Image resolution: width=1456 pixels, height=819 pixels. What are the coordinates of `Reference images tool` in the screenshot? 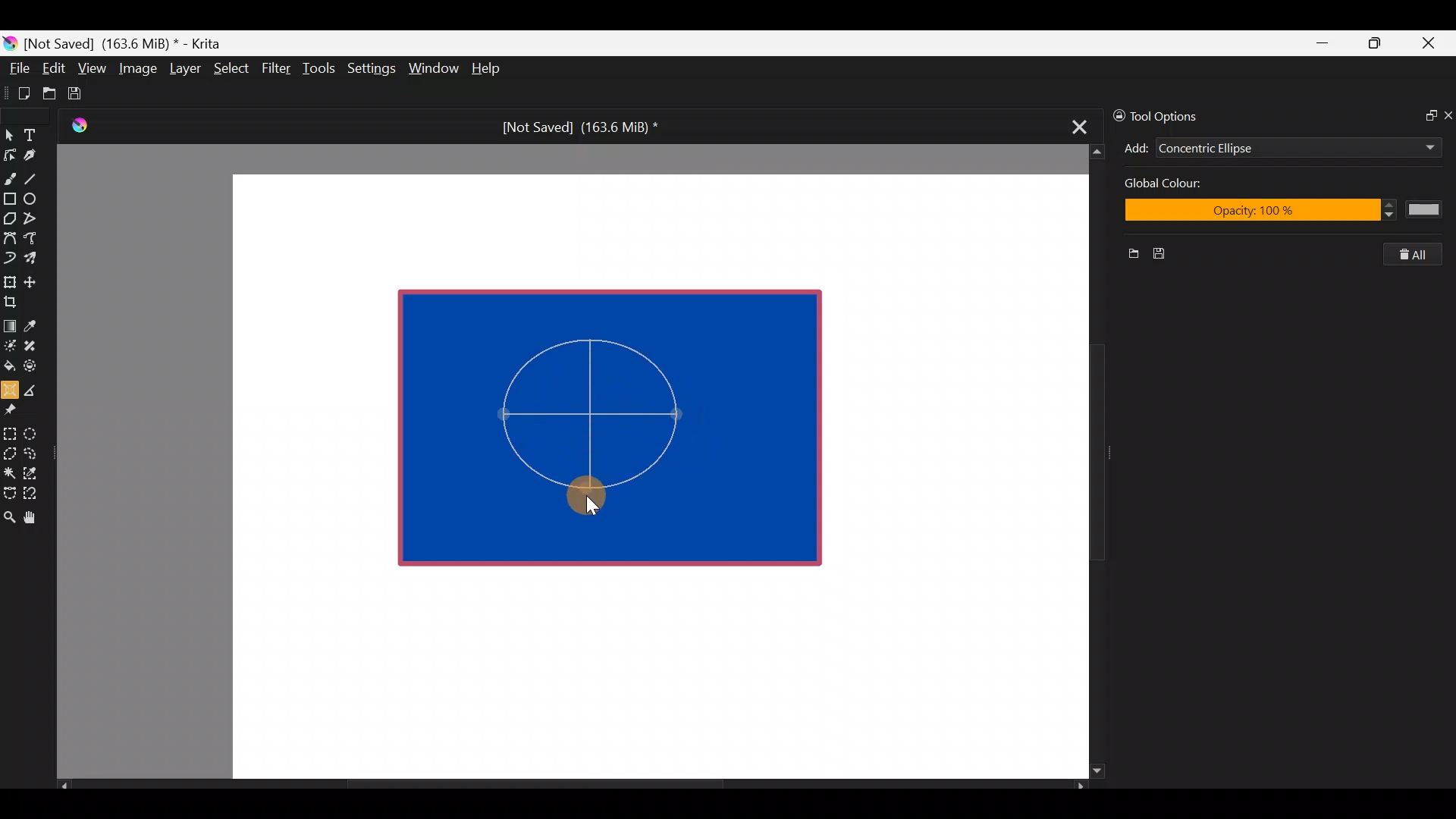 It's located at (15, 408).